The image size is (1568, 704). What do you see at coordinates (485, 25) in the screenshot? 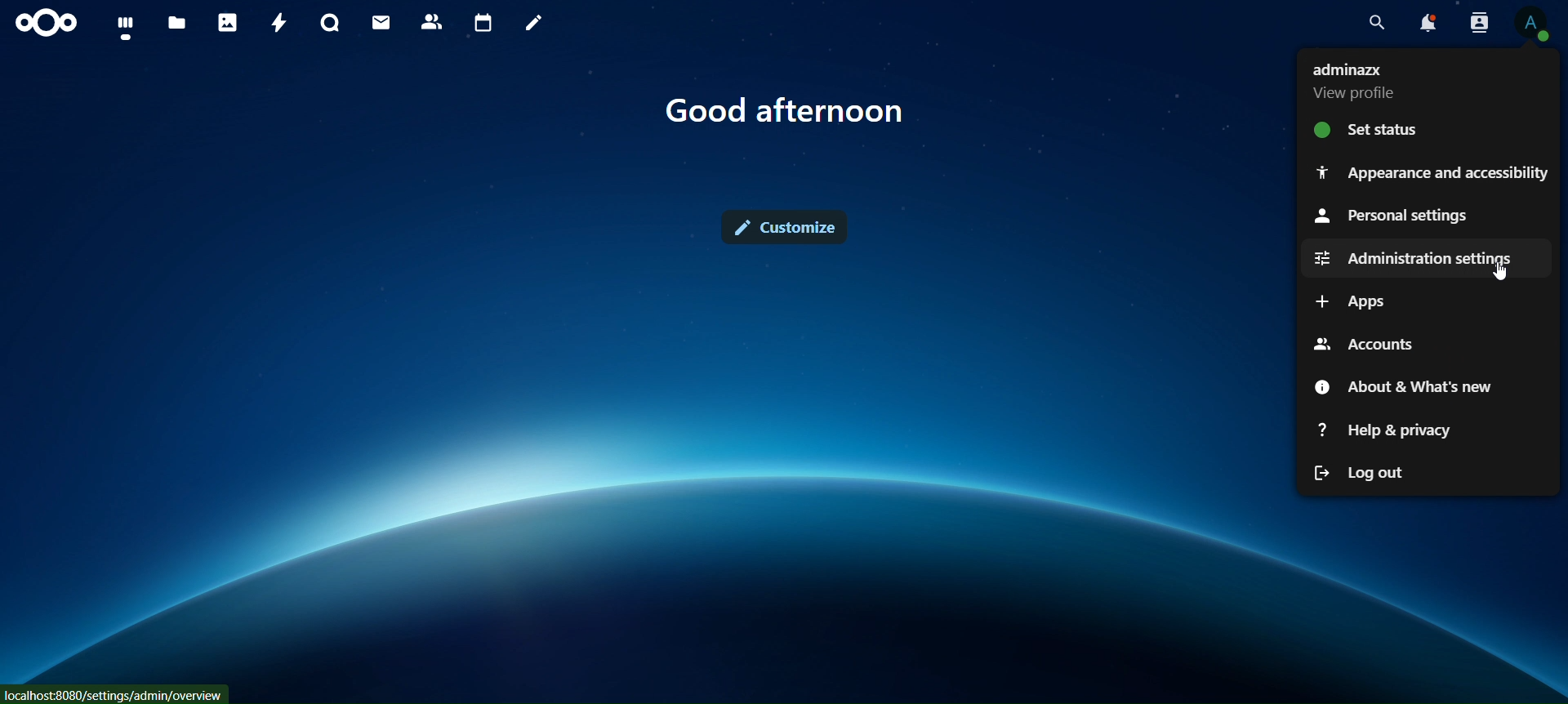
I see `calendar` at bounding box center [485, 25].